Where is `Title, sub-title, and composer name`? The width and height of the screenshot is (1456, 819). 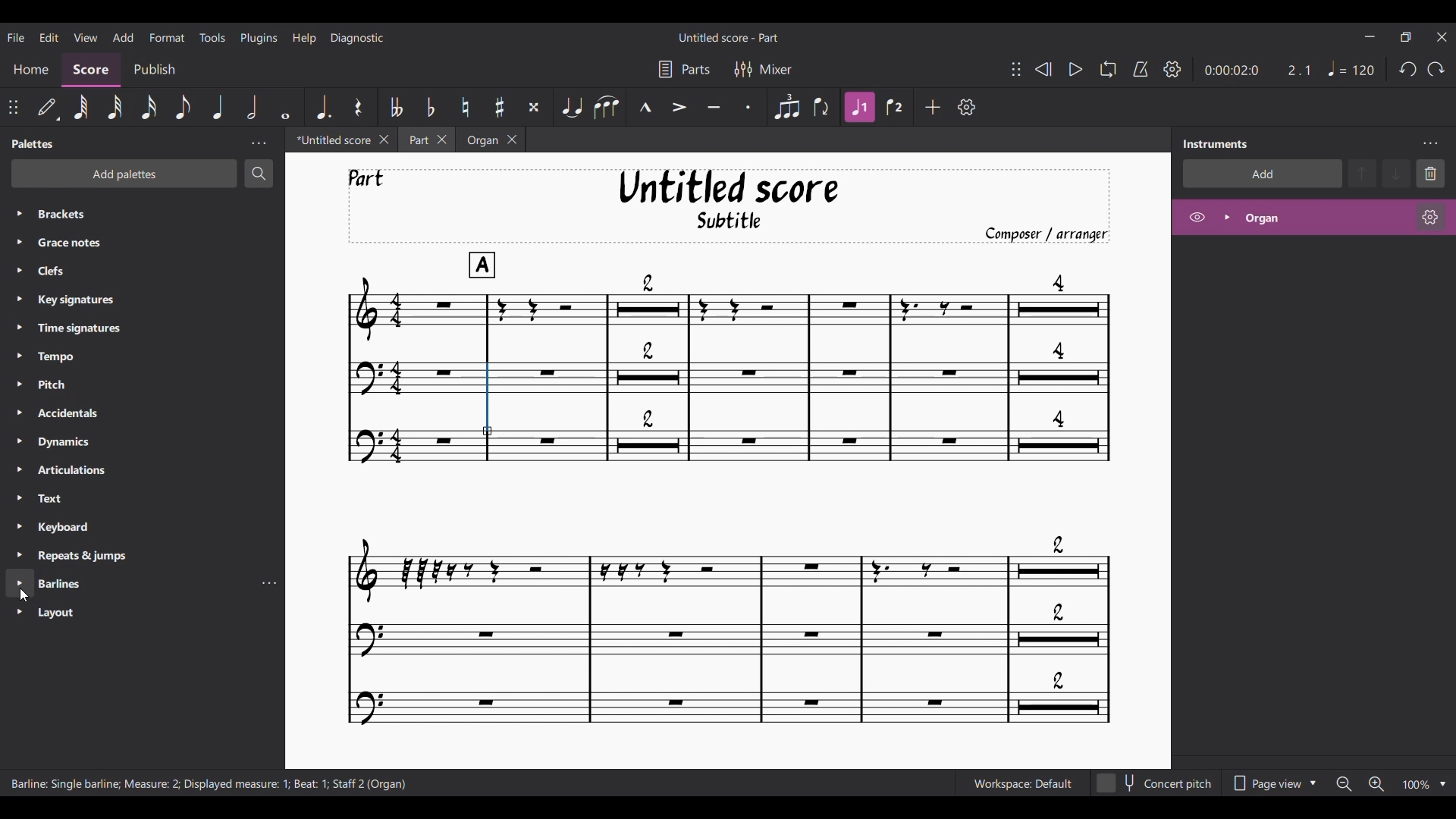
Title, sub-title, and composer name is located at coordinates (729, 206).